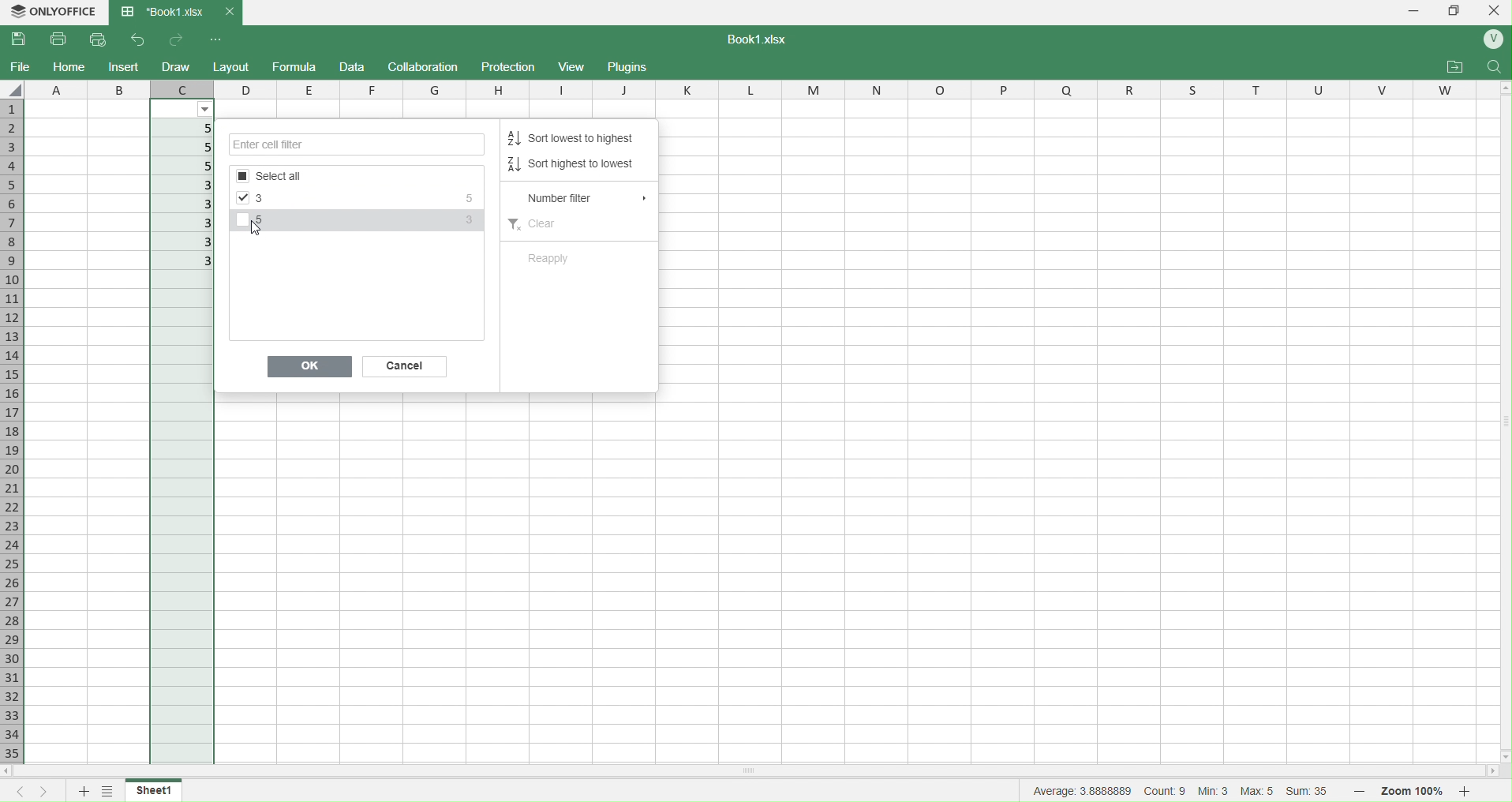 The image size is (1512, 802). What do you see at coordinates (232, 67) in the screenshot?
I see `Layout` at bounding box center [232, 67].